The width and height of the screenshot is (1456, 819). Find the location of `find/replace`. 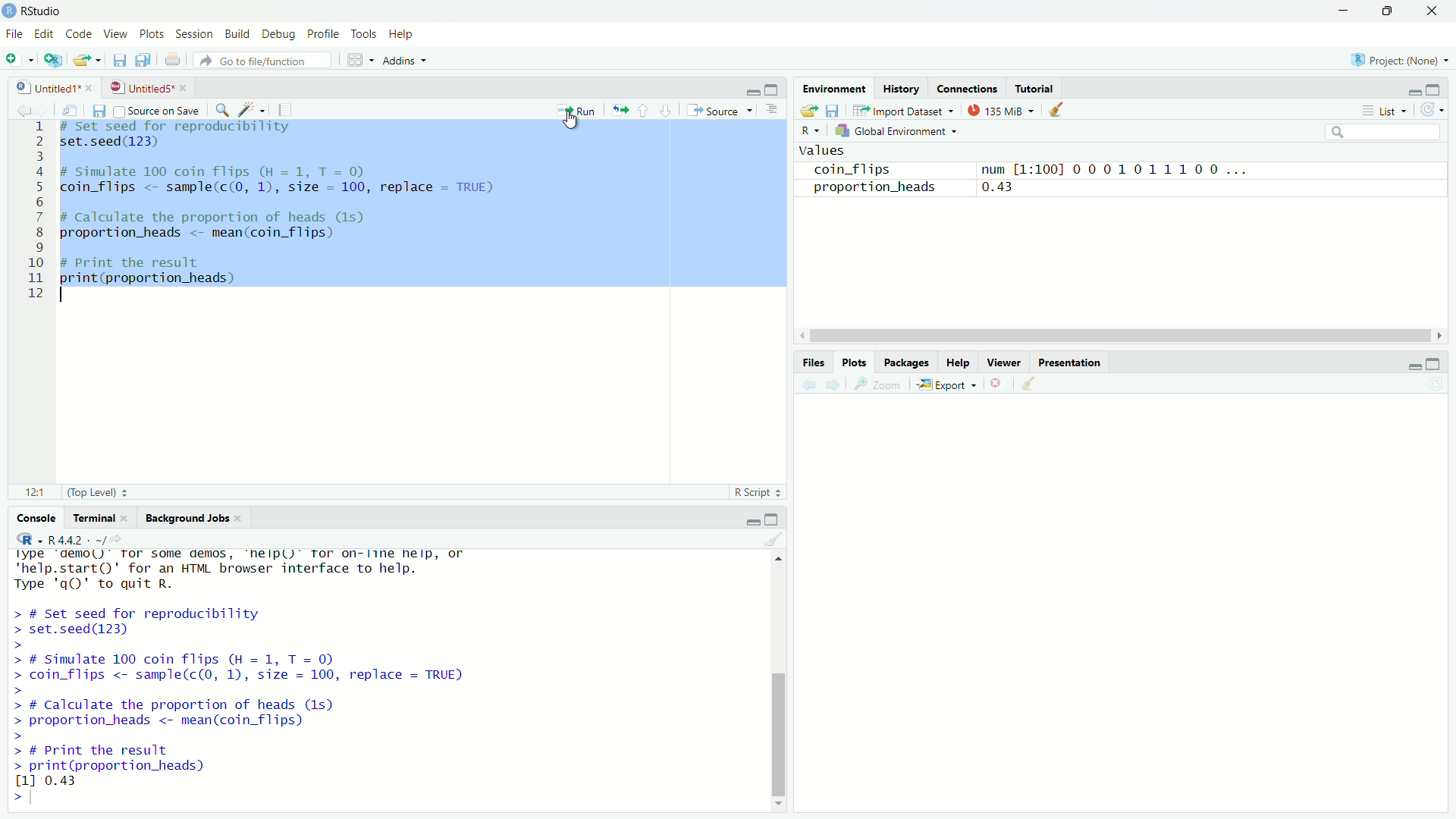

find/replace is located at coordinates (222, 109).